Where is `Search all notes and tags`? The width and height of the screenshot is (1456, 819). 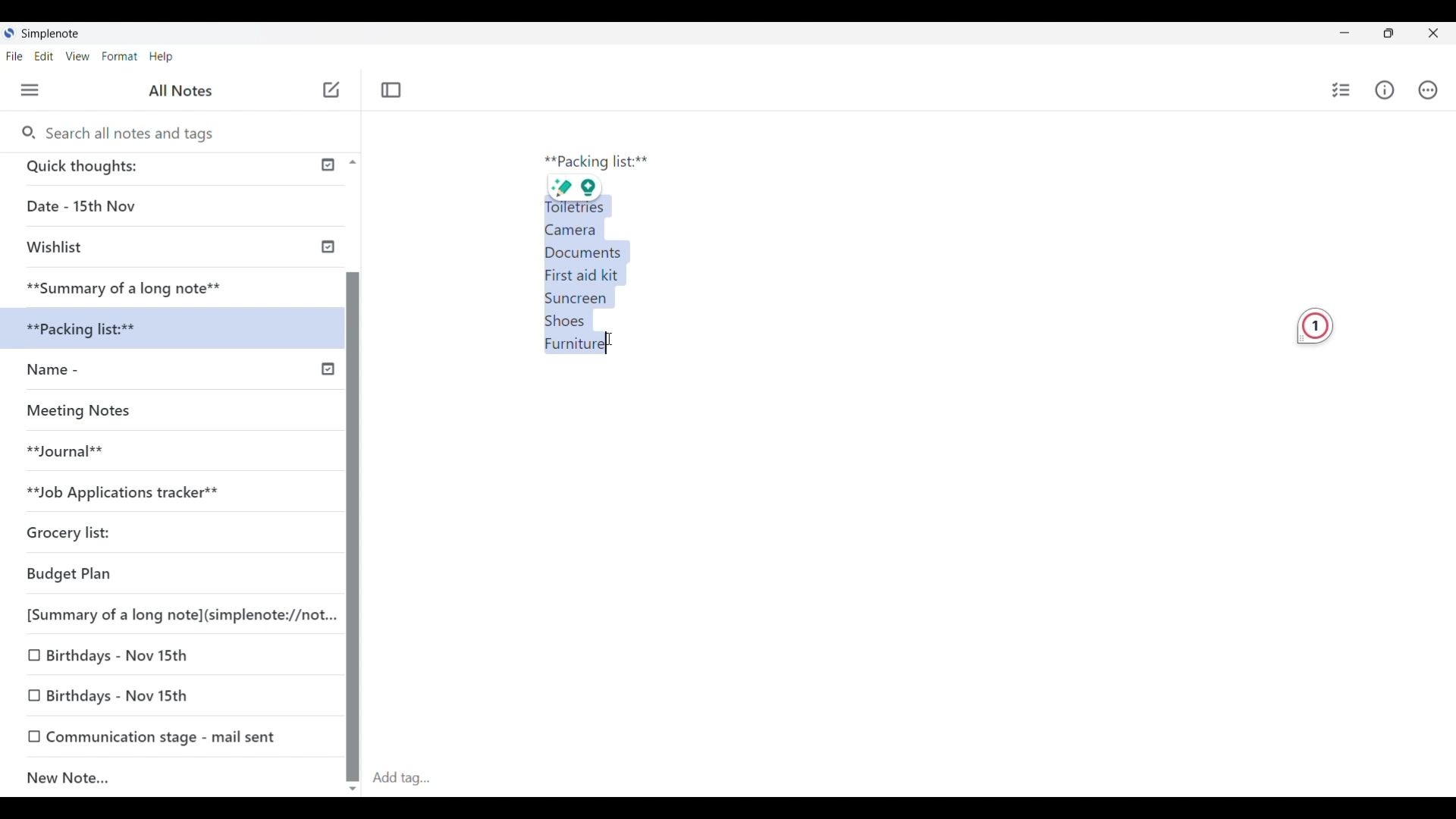 Search all notes and tags is located at coordinates (134, 133).